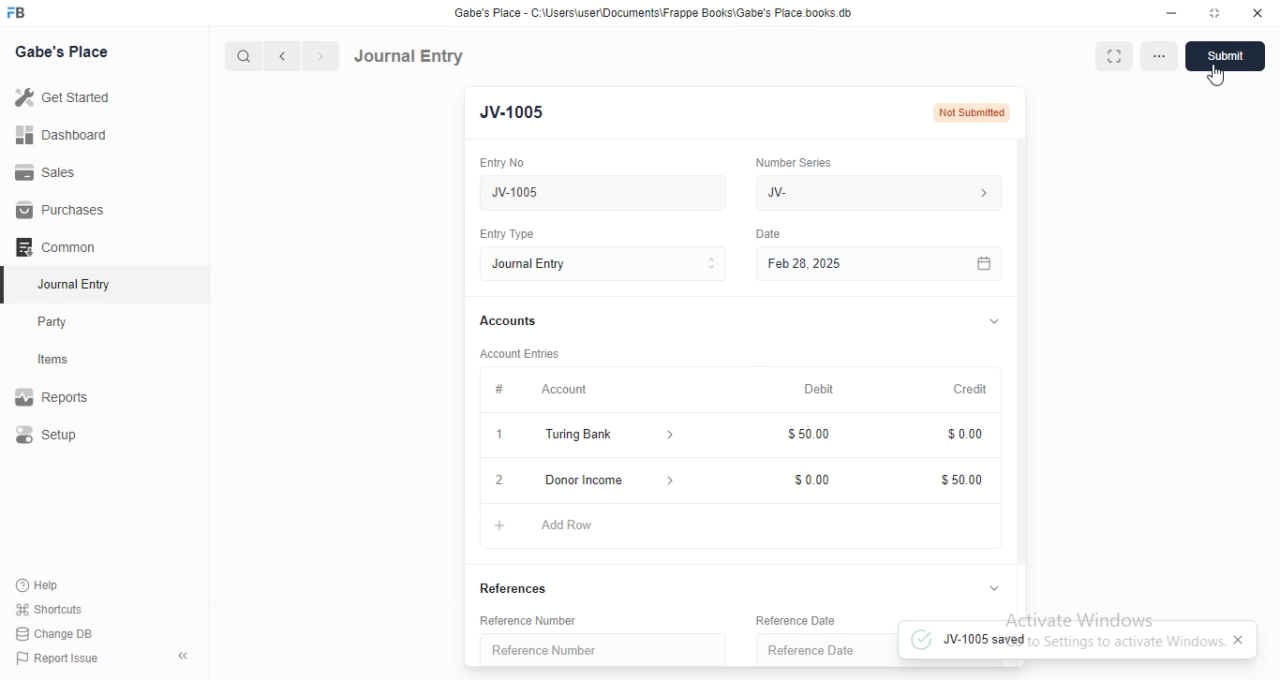 The width and height of the screenshot is (1280, 680). What do you see at coordinates (66, 322) in the screenshot?
I see `Party` at bounding box center [66, 322].